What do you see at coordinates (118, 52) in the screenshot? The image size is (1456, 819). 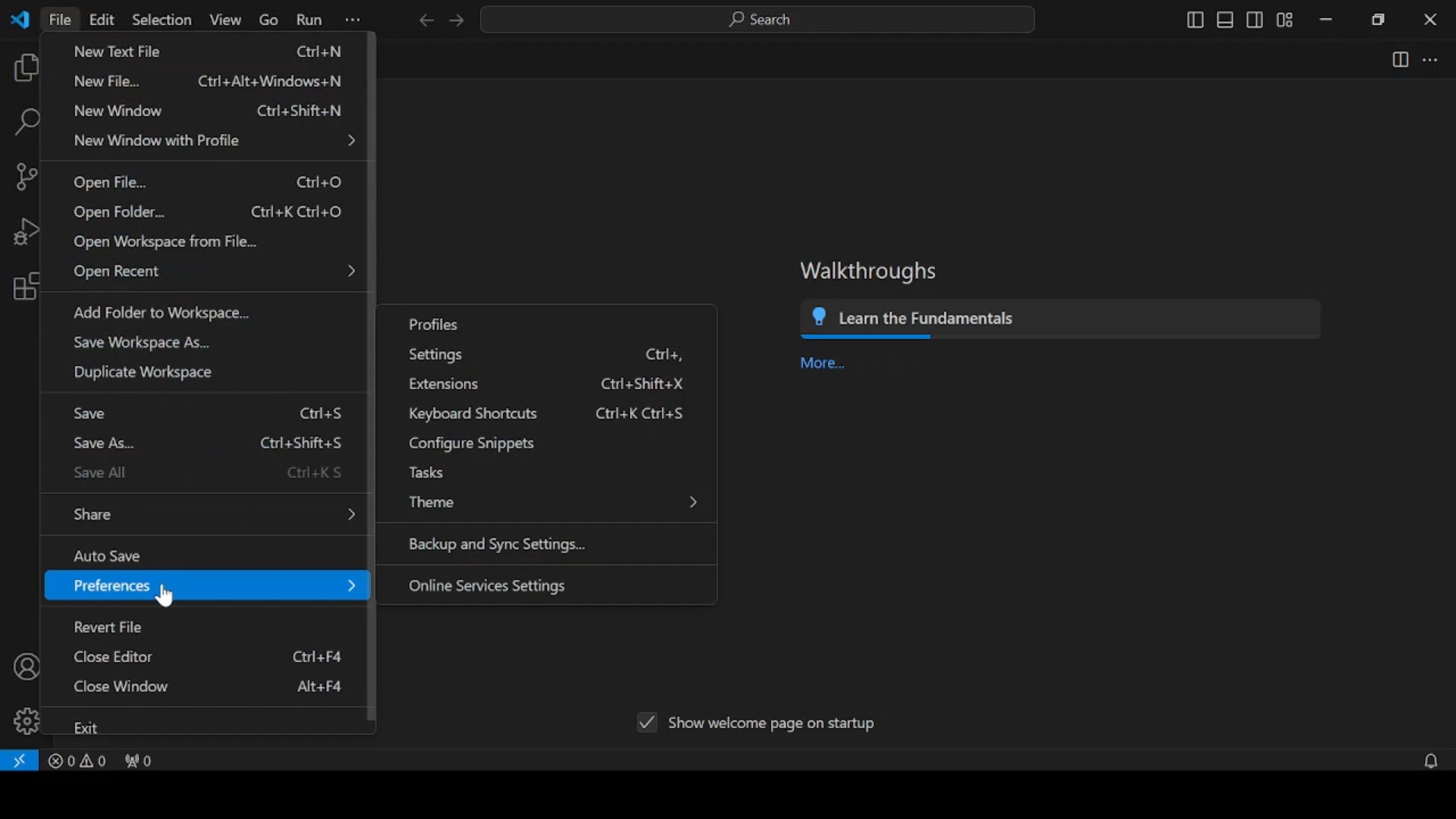 I see `new text file` at bounding box center [118, 52].